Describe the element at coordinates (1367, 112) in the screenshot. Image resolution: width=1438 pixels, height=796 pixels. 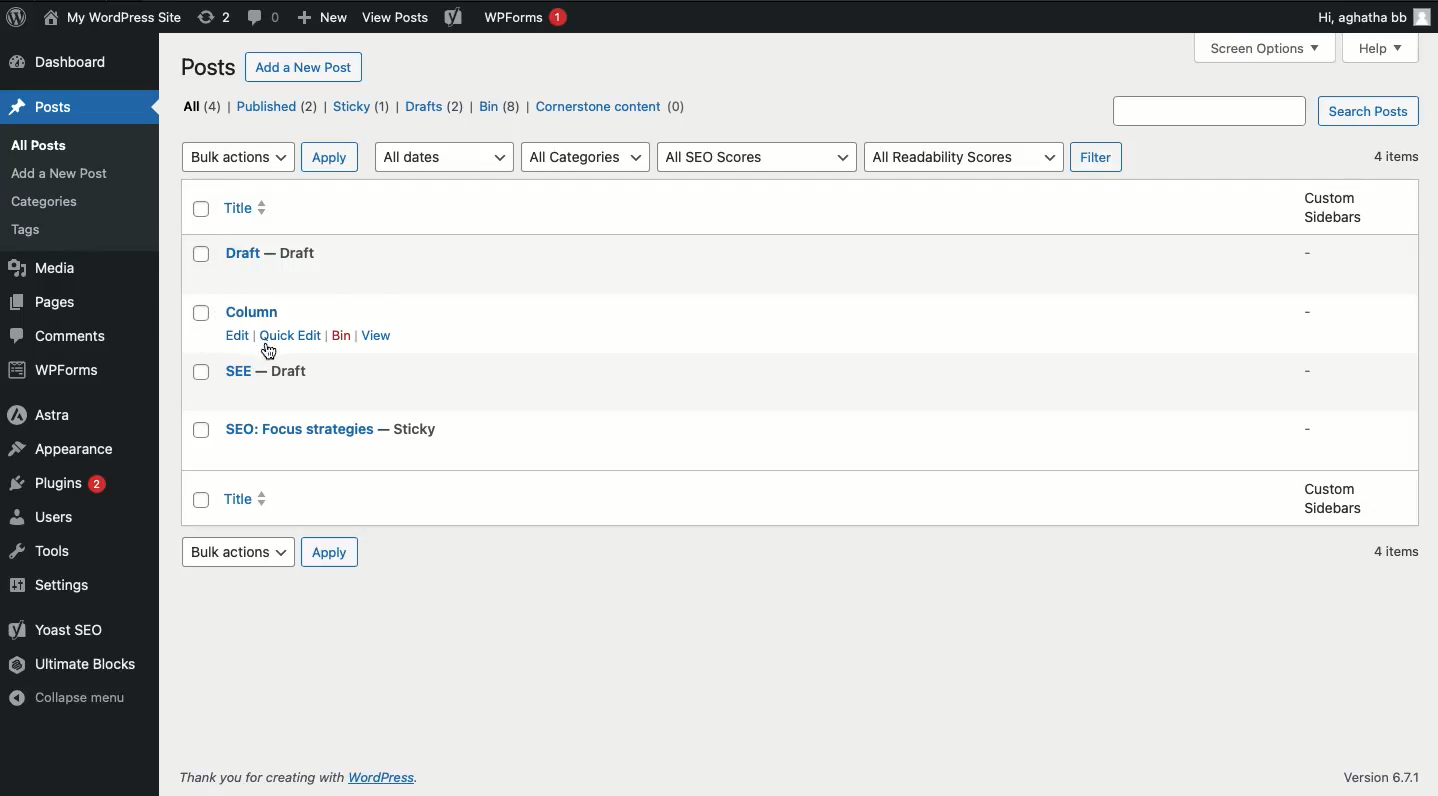
I see `Search posts` at that location.